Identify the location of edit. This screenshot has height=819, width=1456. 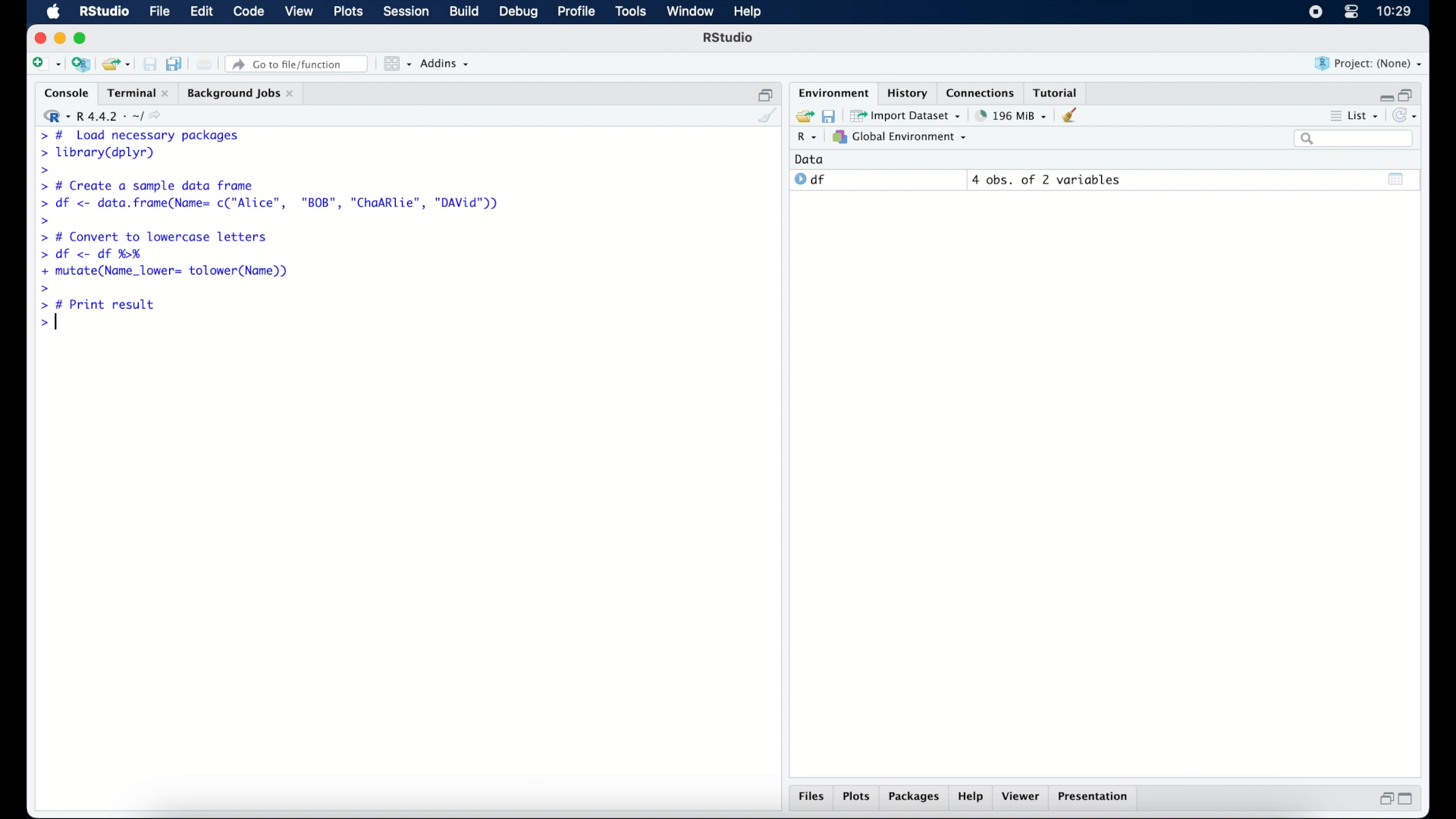
(200, 12).